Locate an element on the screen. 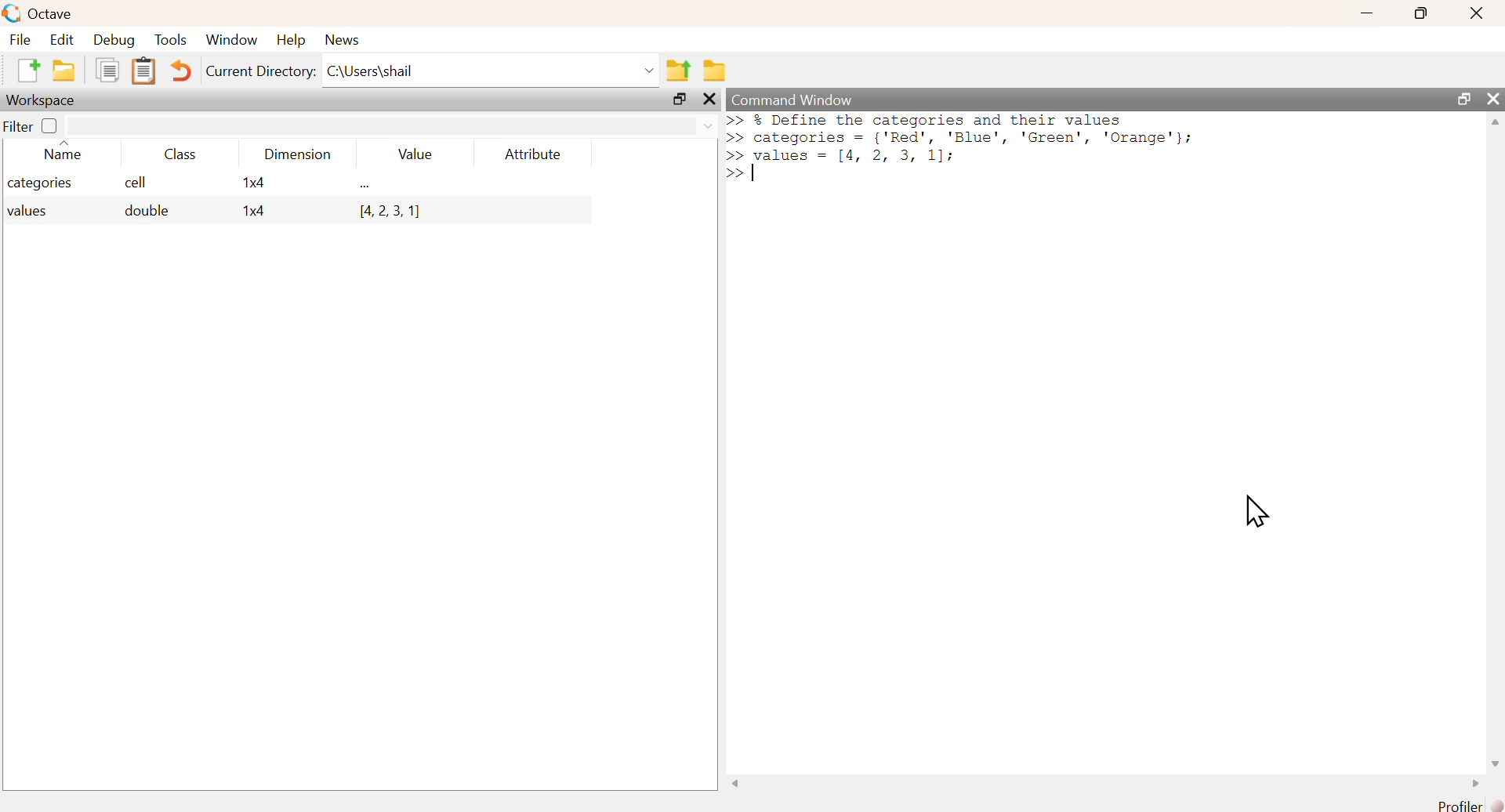 The height and width of the screenshot is (812, 1505). Current Directory: is located at coordinates (260, 71).